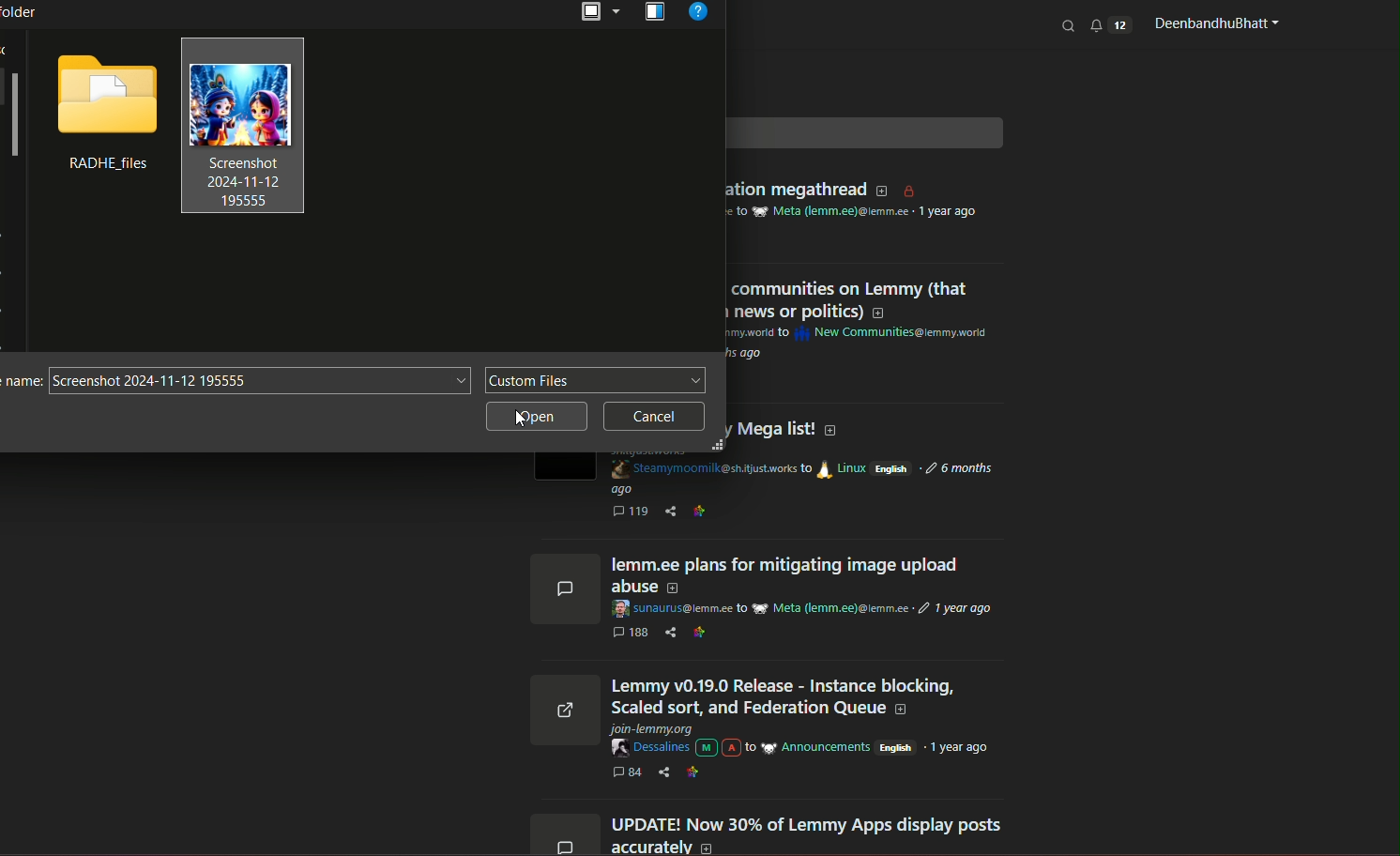 The width and height of the screenshot is (1400, 856). I want to click on icons, so click(562, 701).